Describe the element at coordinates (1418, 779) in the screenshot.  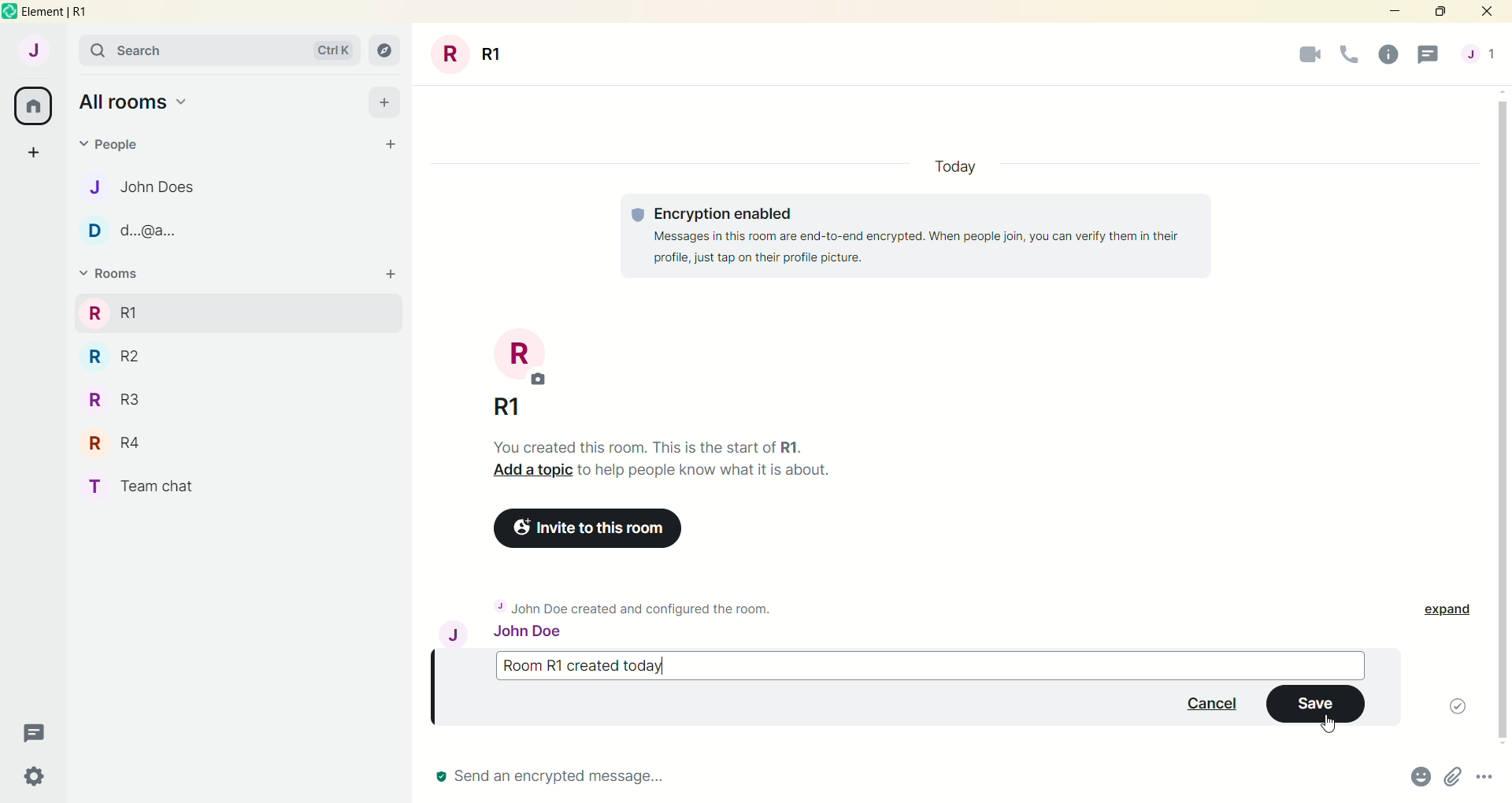
I see `emoji` at that location.